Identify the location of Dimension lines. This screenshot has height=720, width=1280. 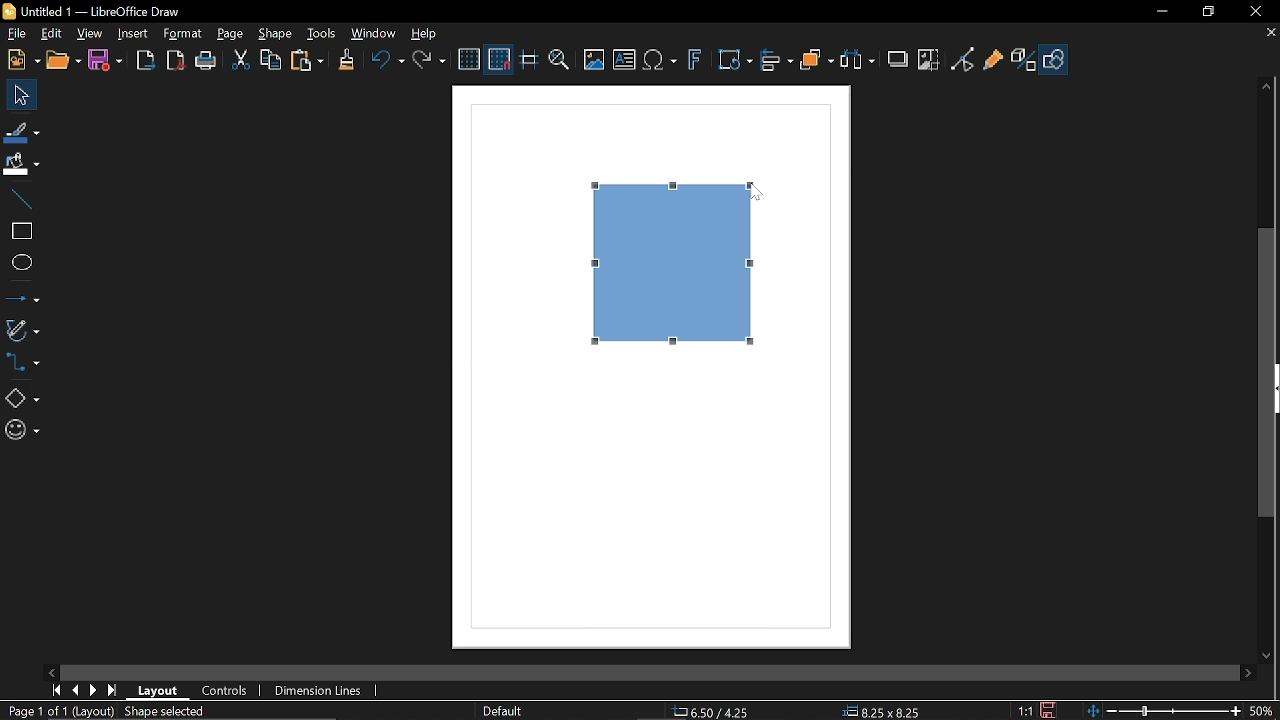
(317, 691).